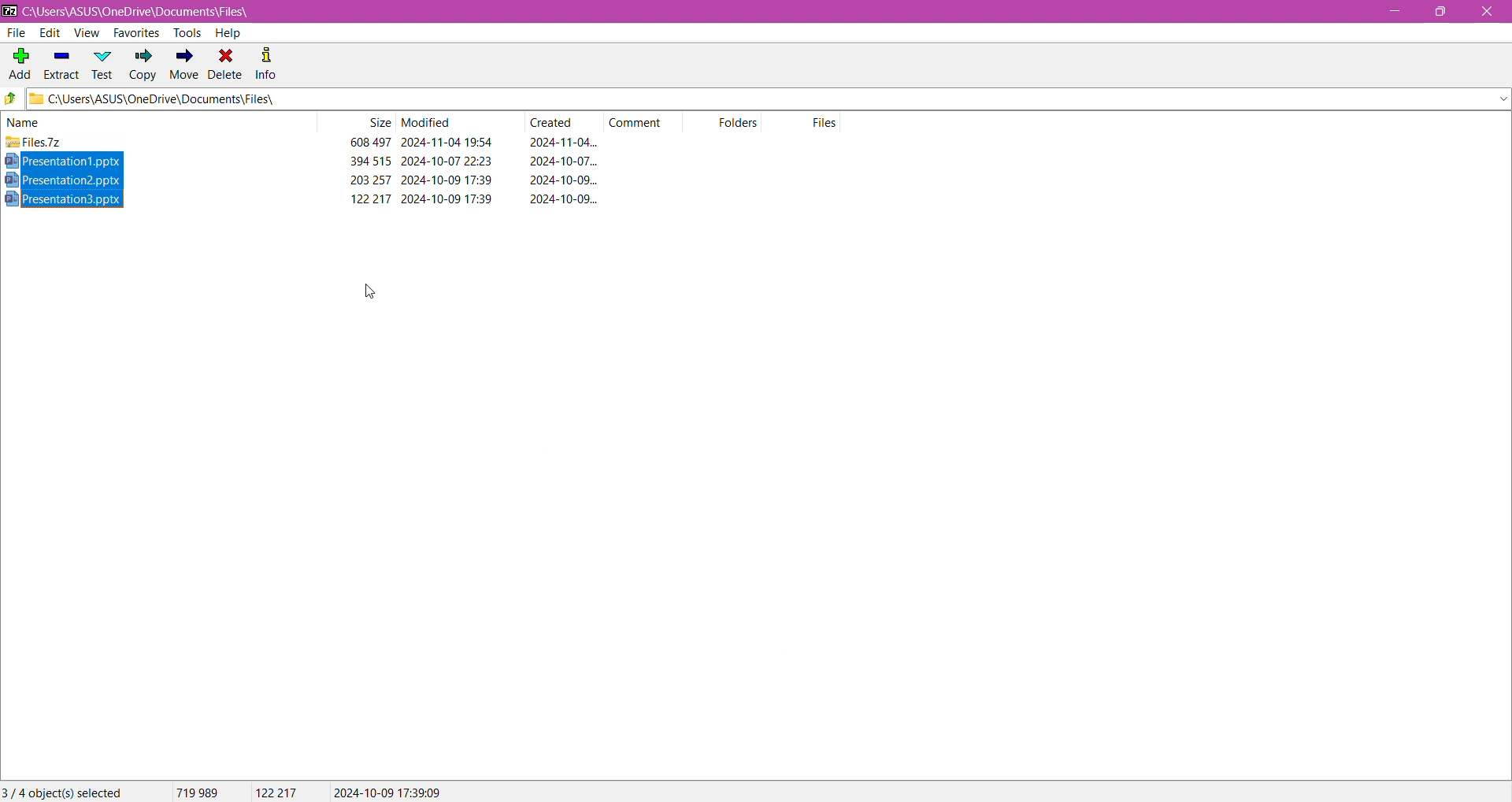  Describe the element at coordinates (86, 33) in the screenshot. I see `View` at that location.